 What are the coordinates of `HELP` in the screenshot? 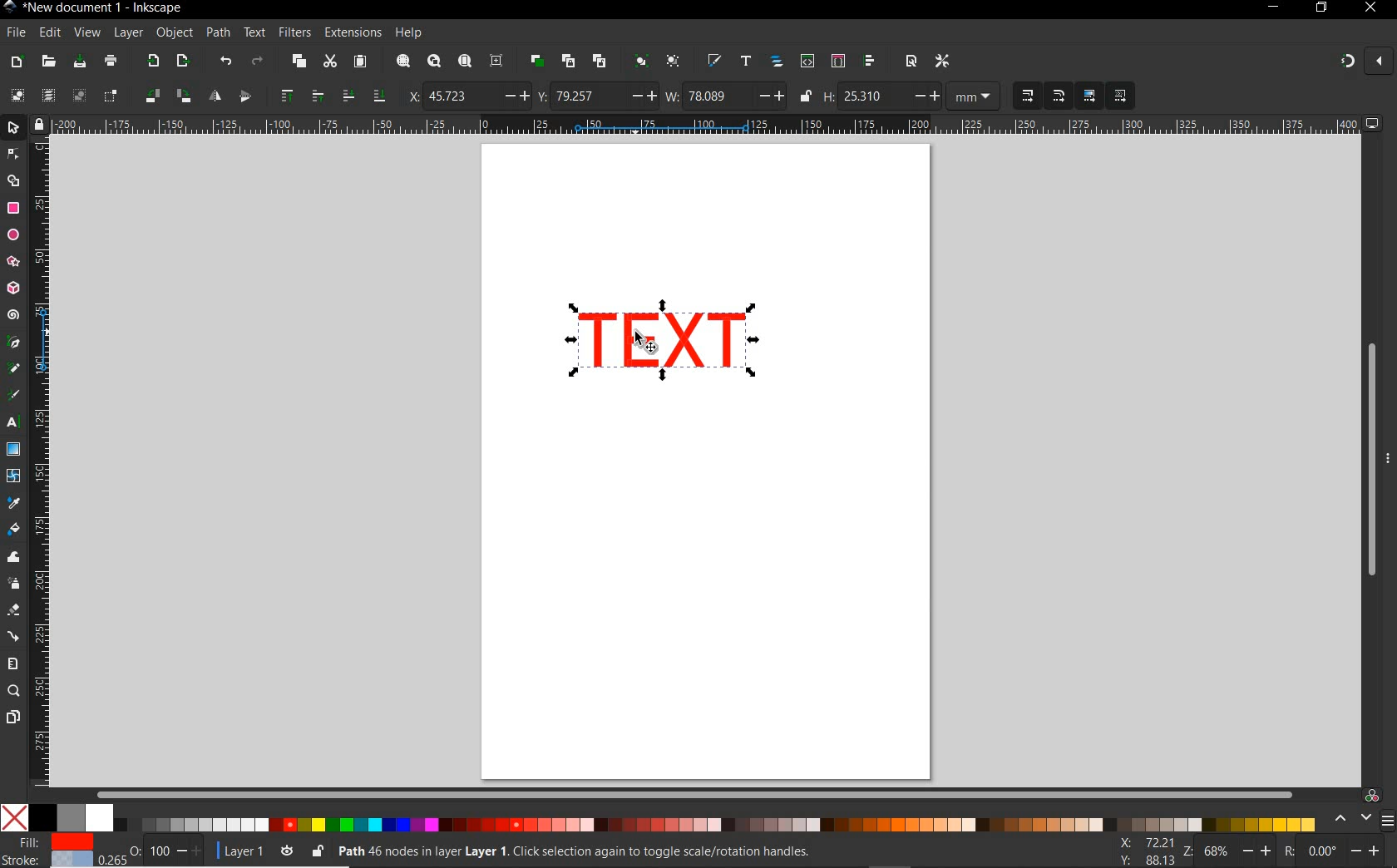 It's located at (407, 34).